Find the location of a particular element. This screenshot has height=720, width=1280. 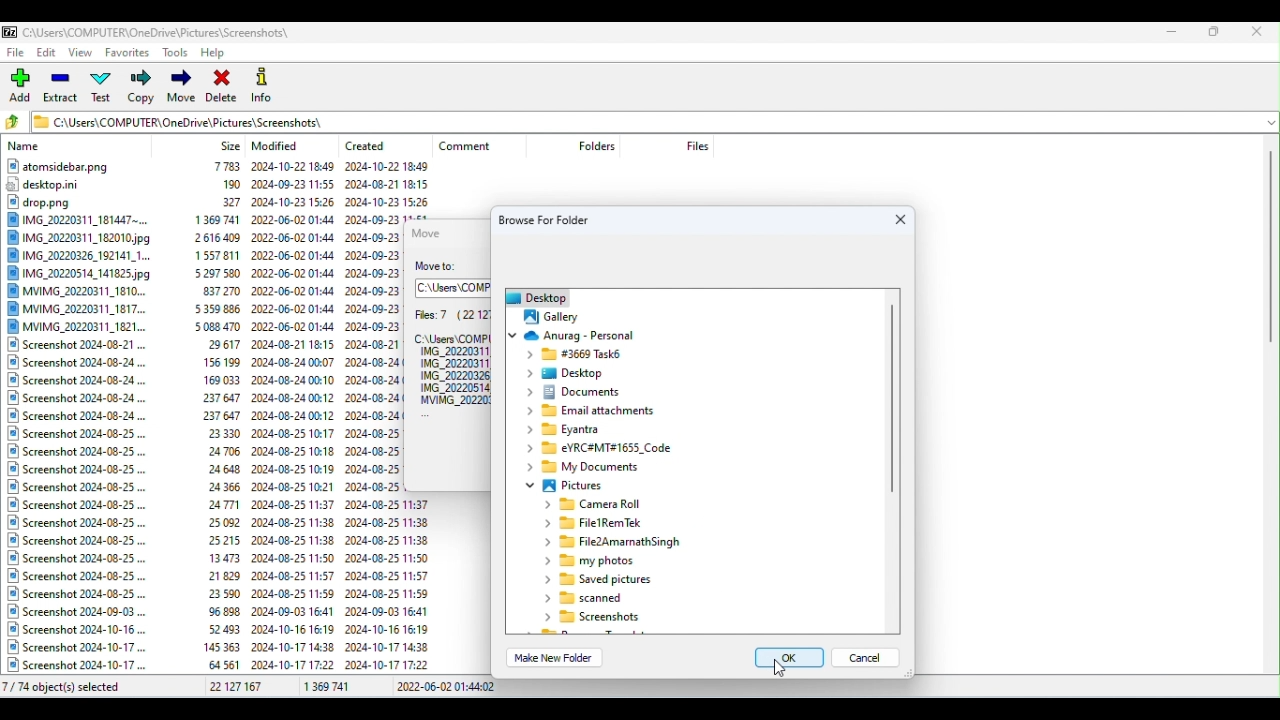

Close is located at coordinates (899, 220).